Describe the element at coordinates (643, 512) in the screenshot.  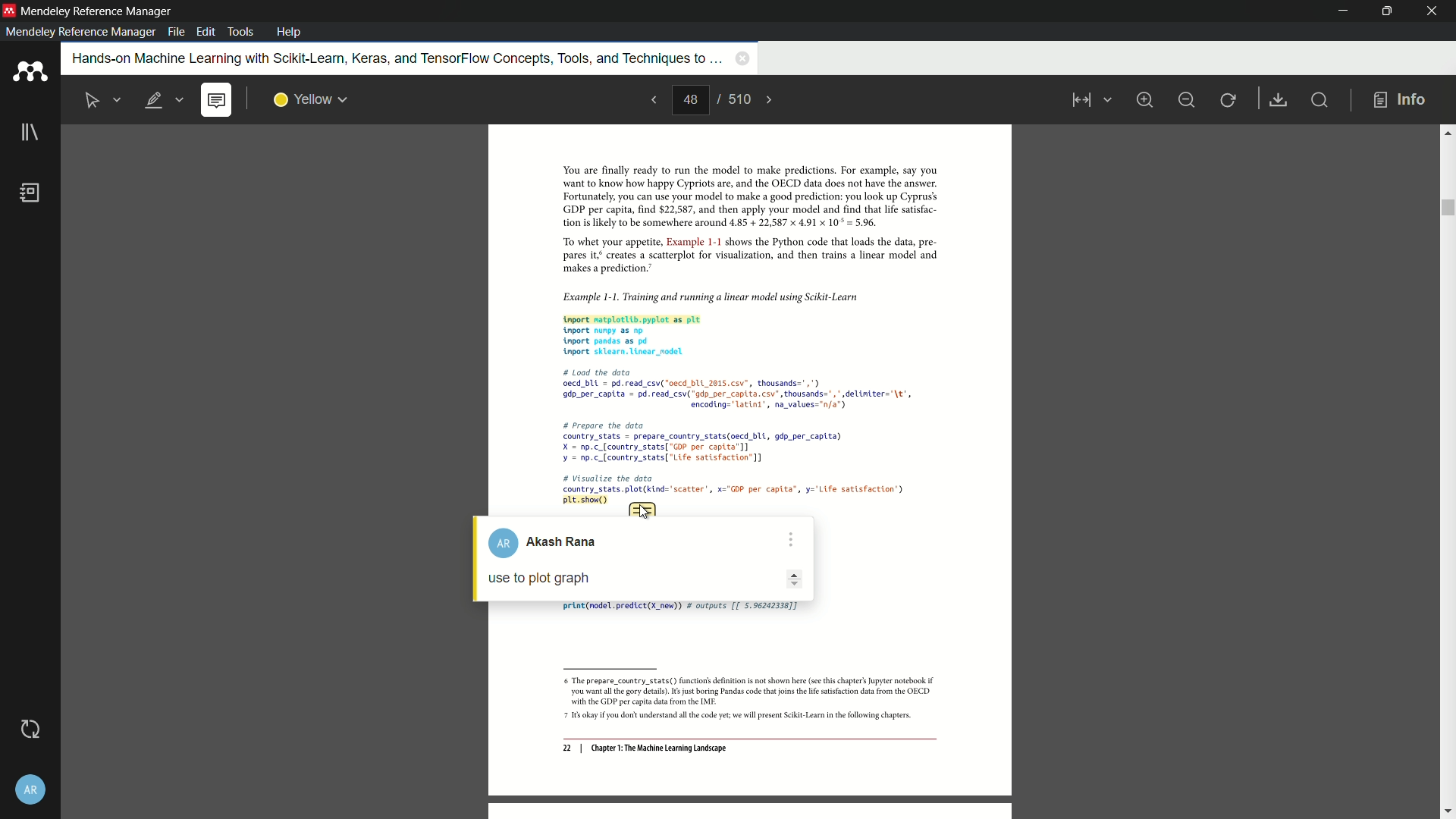
I see `cursor` at that location.